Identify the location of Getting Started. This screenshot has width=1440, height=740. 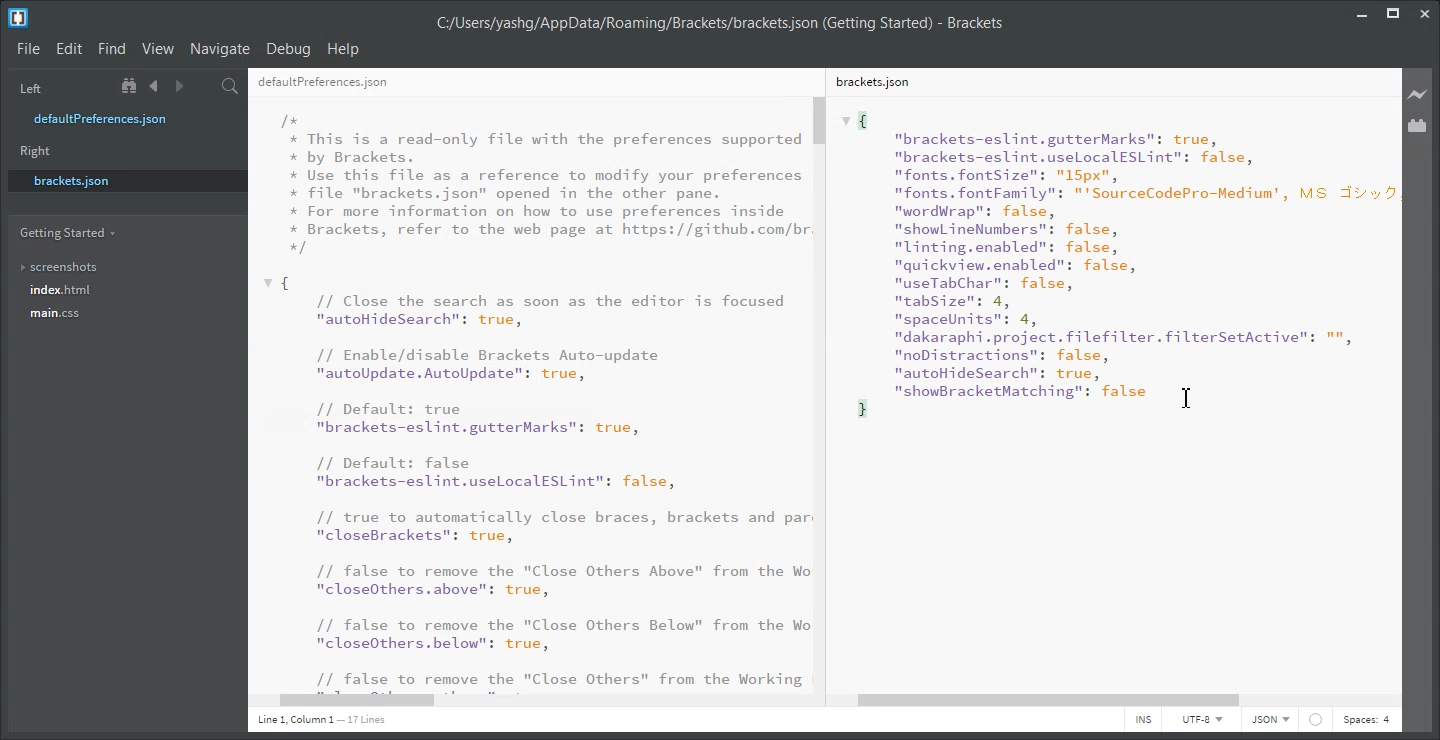
(66, 233).